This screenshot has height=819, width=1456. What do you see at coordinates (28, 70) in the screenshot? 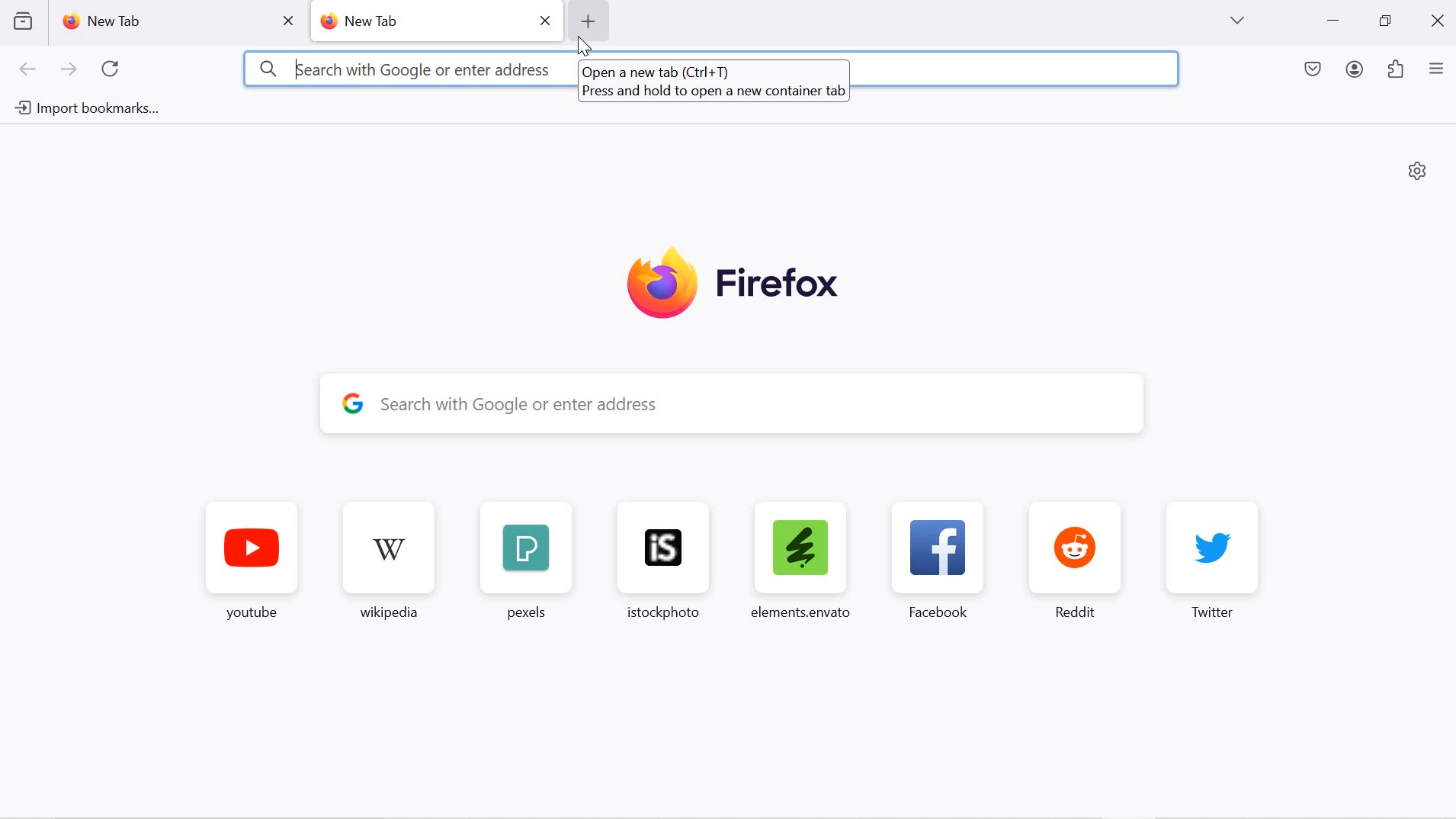
I see `go back` at bounding box center [28, 70].